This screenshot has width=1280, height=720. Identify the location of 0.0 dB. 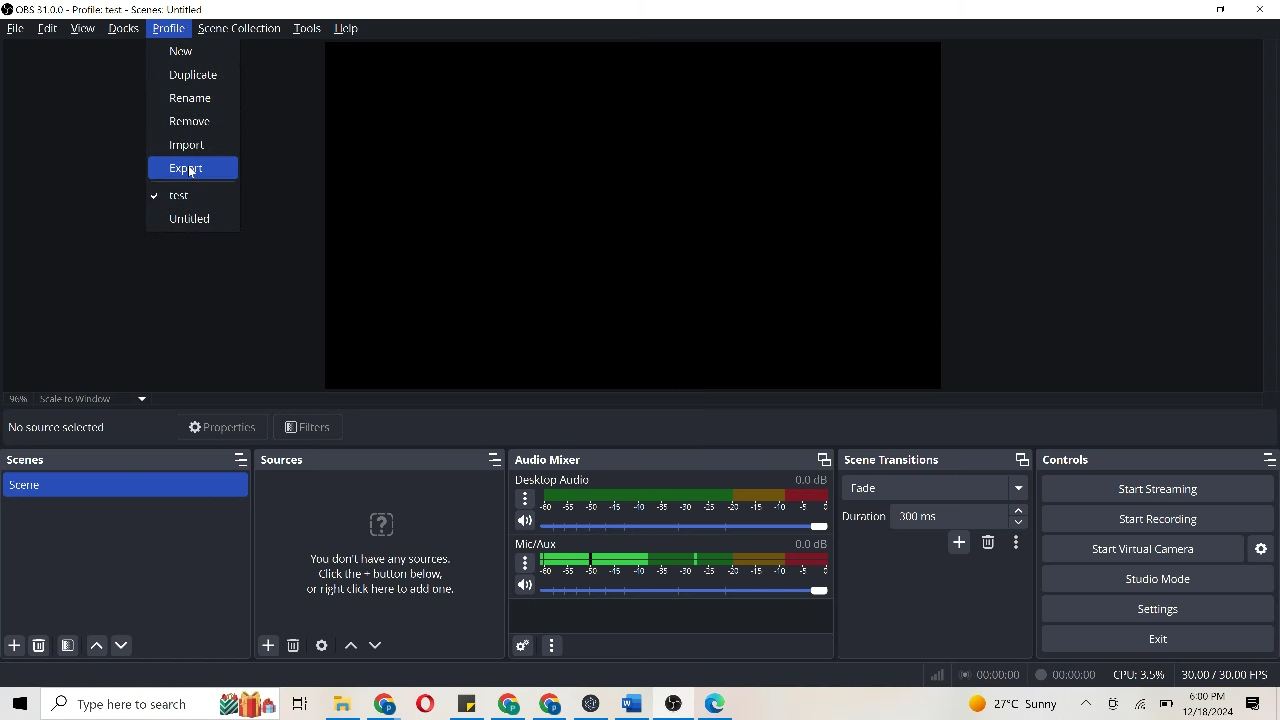
(809, 478).